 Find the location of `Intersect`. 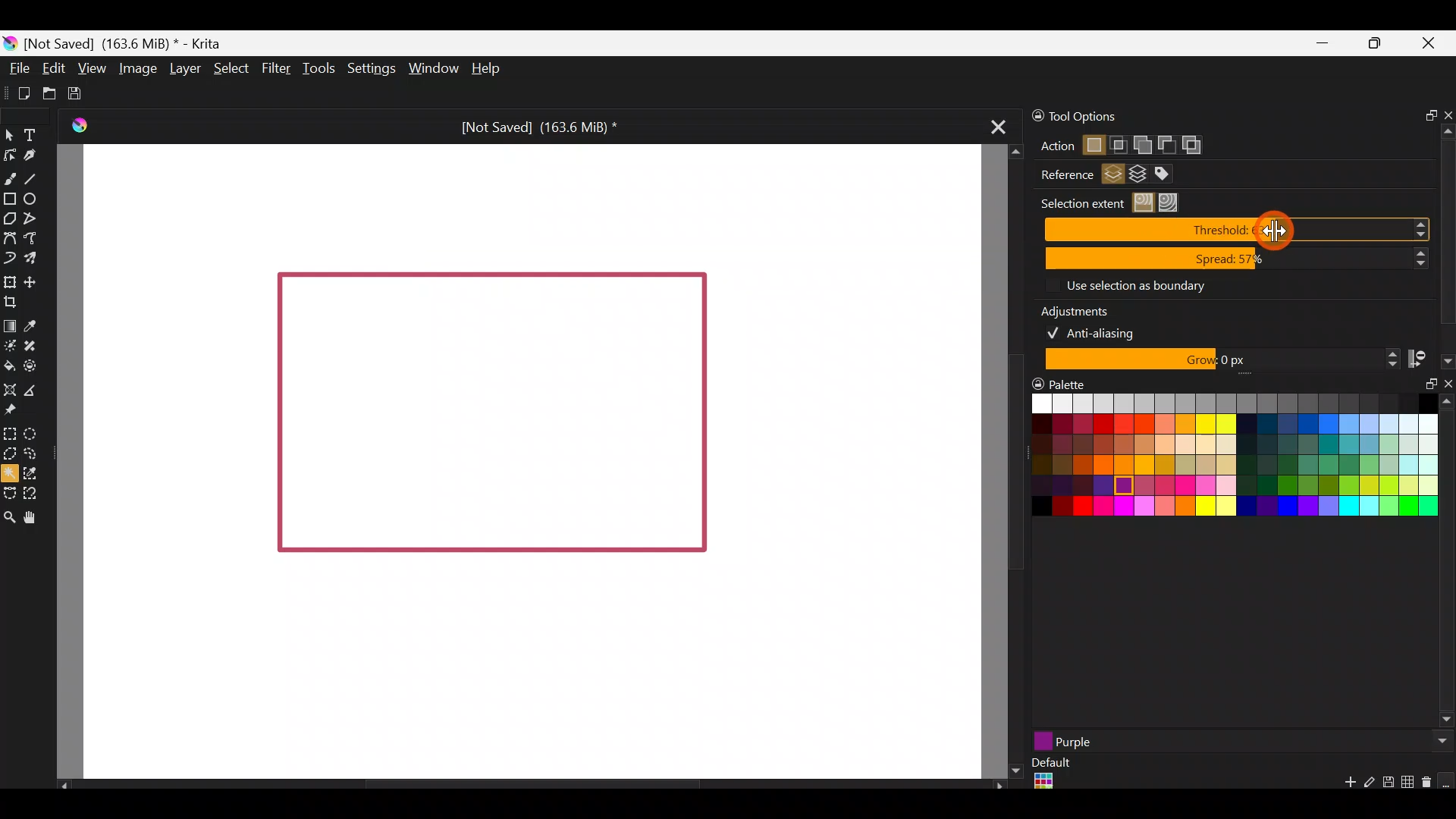

Intersect is located at coordinates (1119, 142).